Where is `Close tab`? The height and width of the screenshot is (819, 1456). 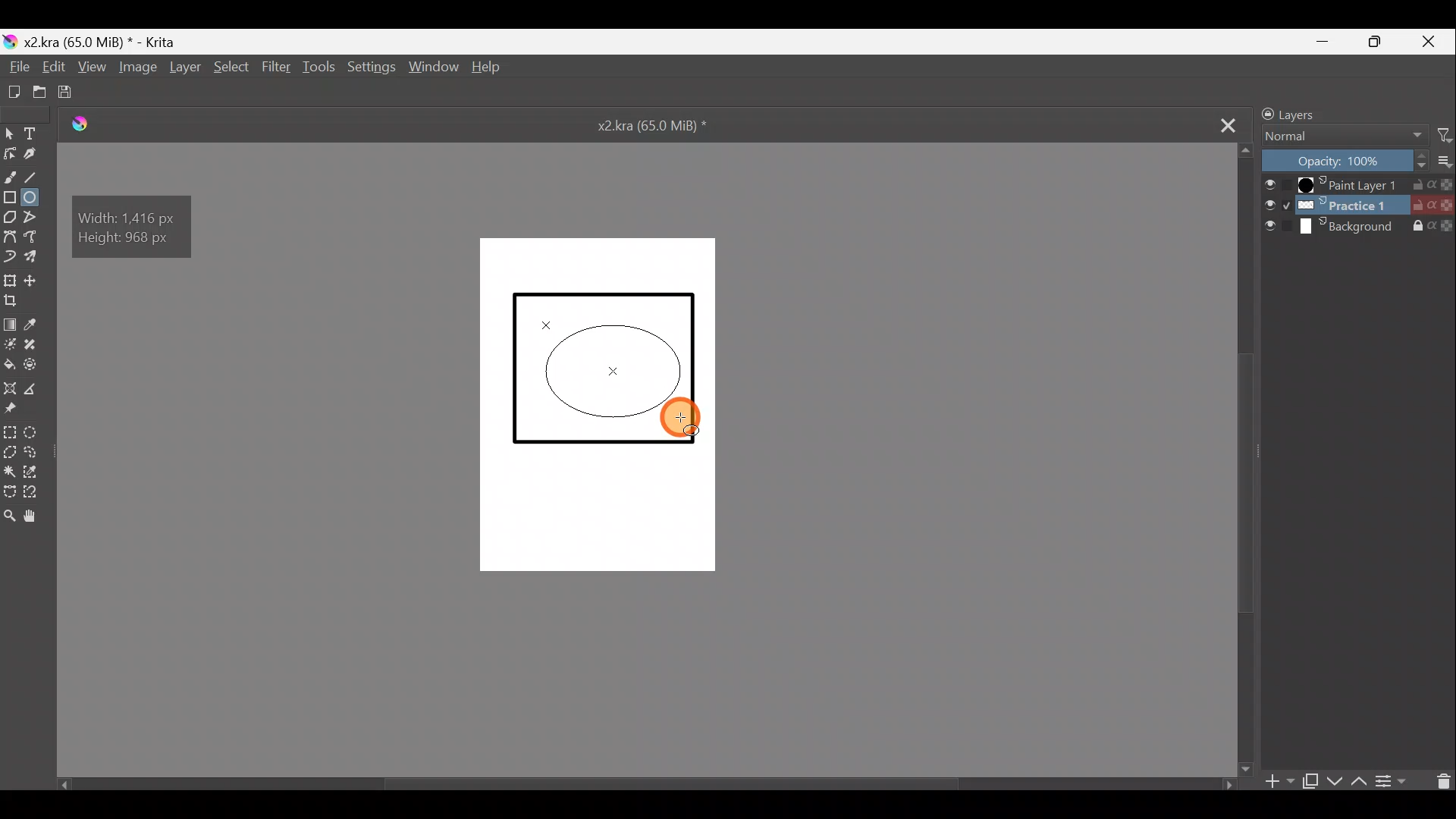
Close tab is located at coordinates (1225, 124).